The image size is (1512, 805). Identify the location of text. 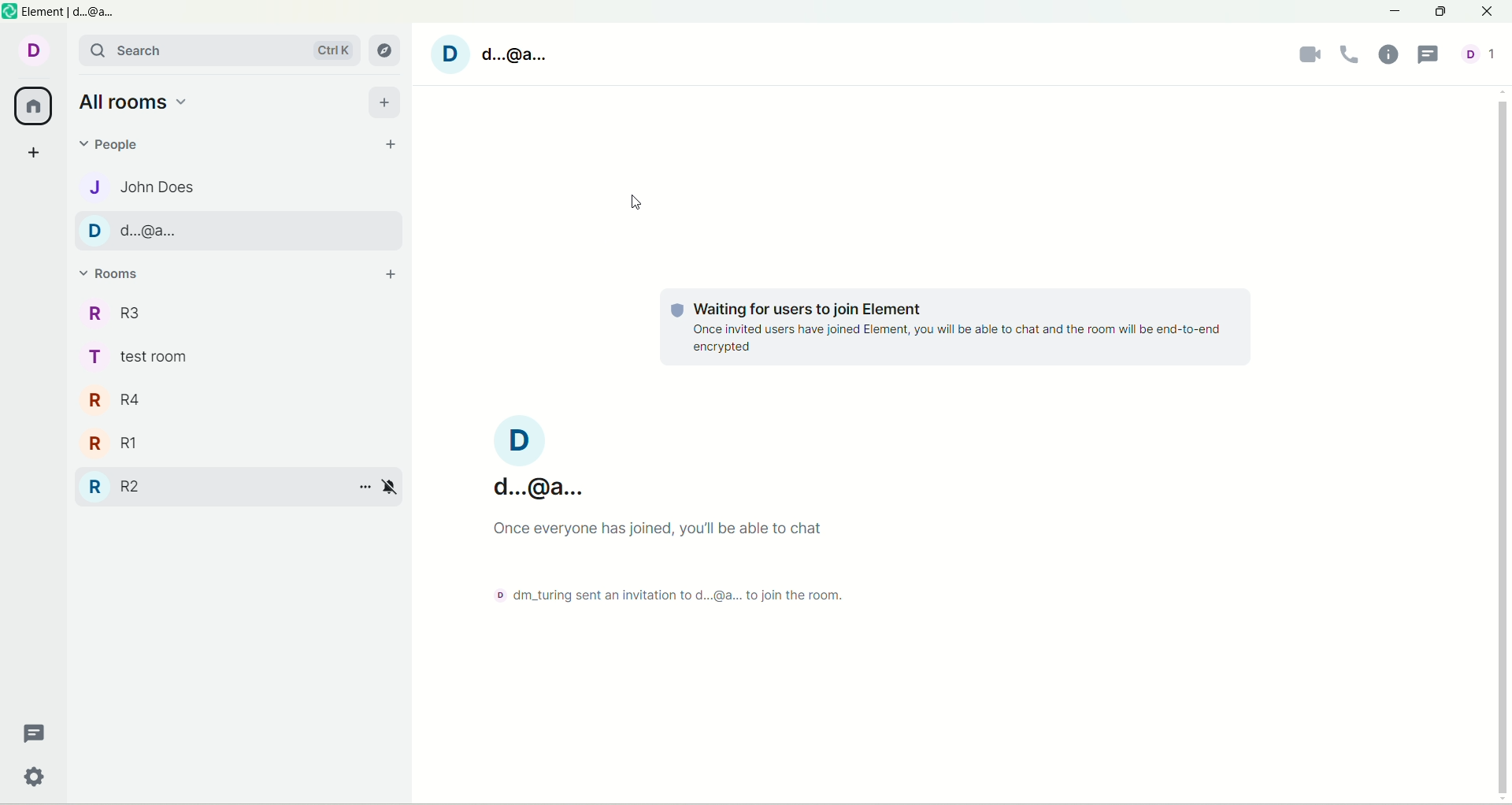
(682, 534).